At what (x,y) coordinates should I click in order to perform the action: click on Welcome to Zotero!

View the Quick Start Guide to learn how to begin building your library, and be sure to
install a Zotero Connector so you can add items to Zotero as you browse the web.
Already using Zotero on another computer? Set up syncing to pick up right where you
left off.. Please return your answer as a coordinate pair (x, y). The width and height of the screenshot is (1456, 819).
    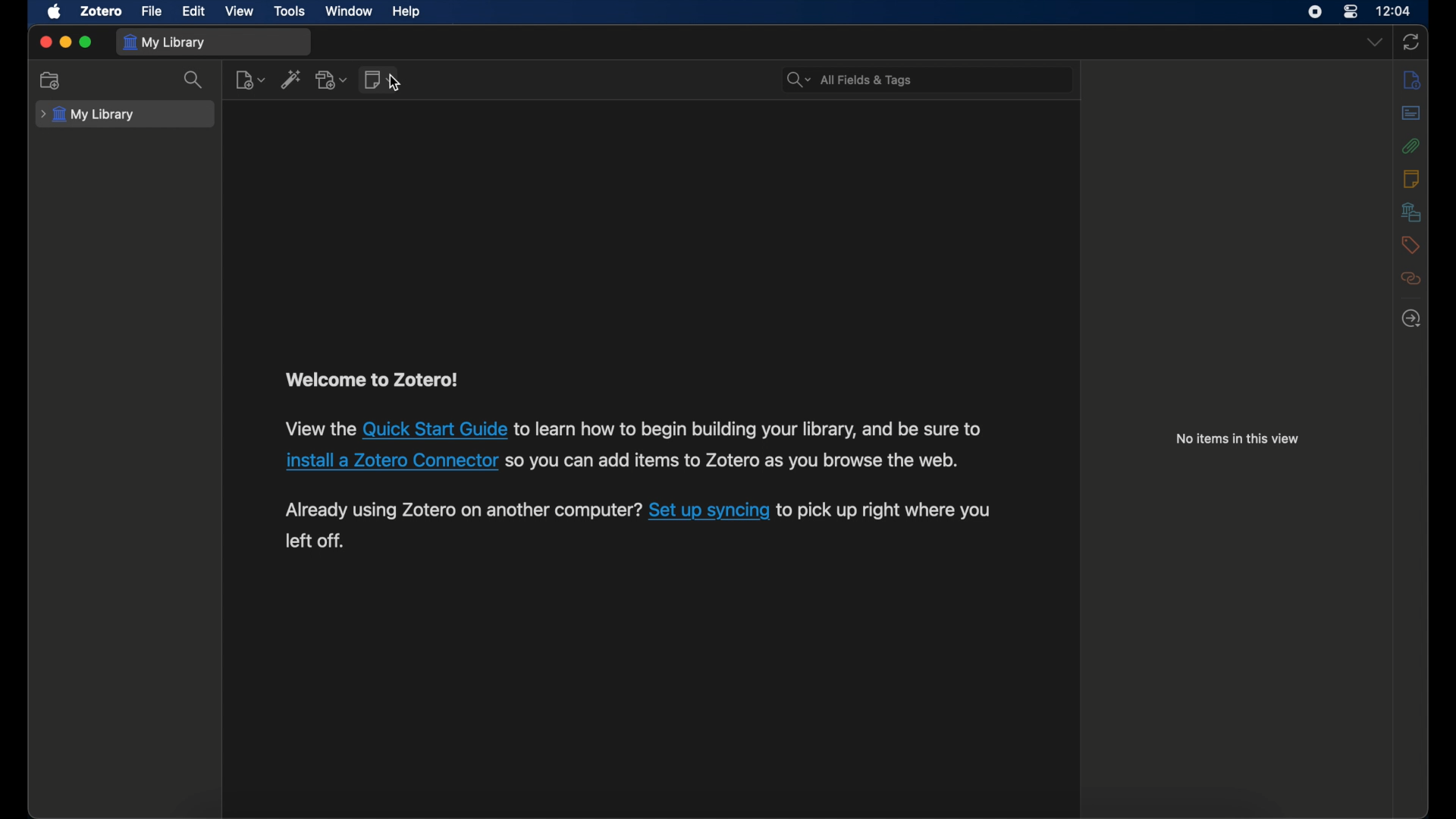
    Looking at the image, I should click on (632, 465).